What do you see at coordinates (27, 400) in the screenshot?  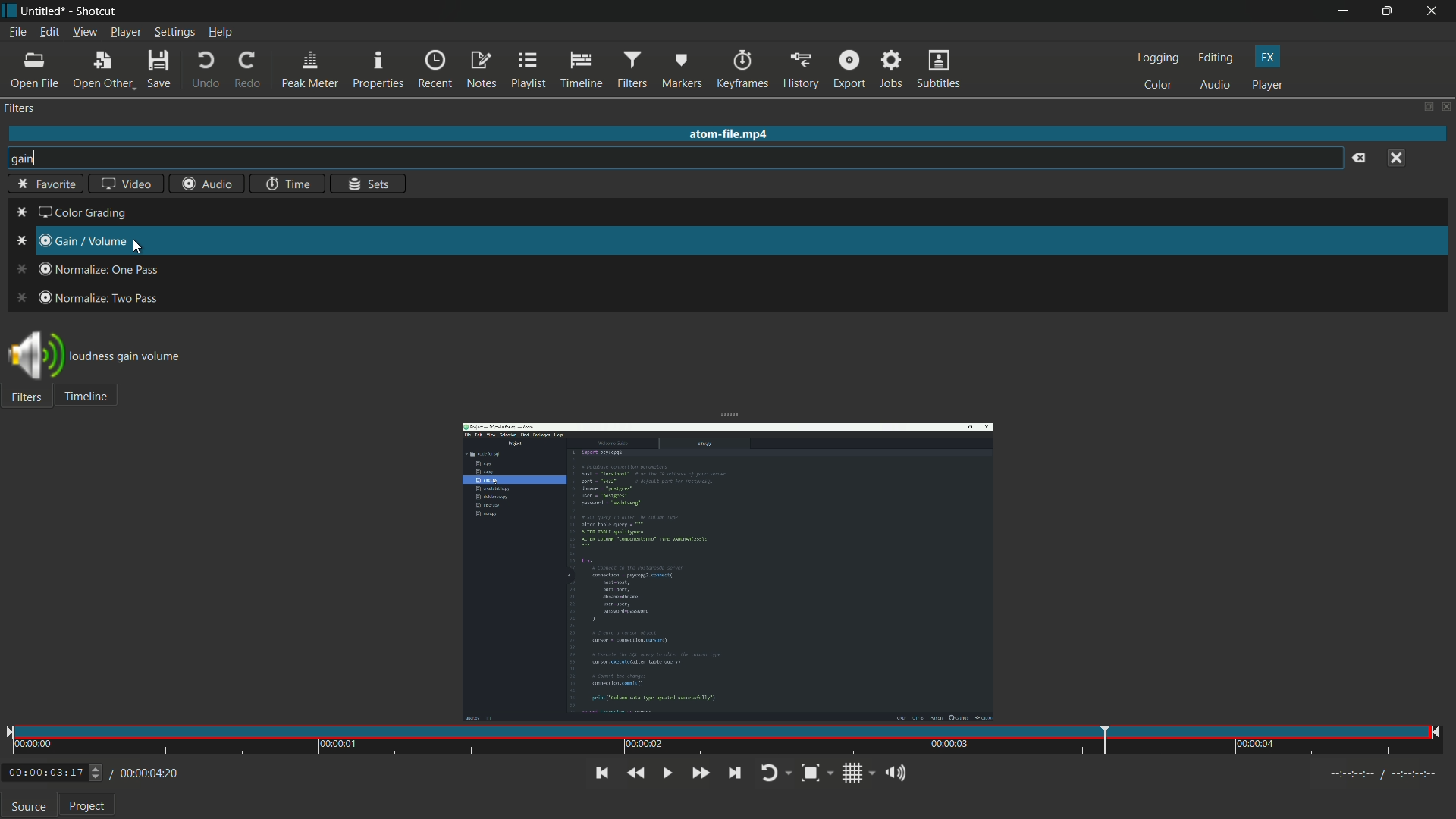 I see `Filters` at bounding box center [27, 400].